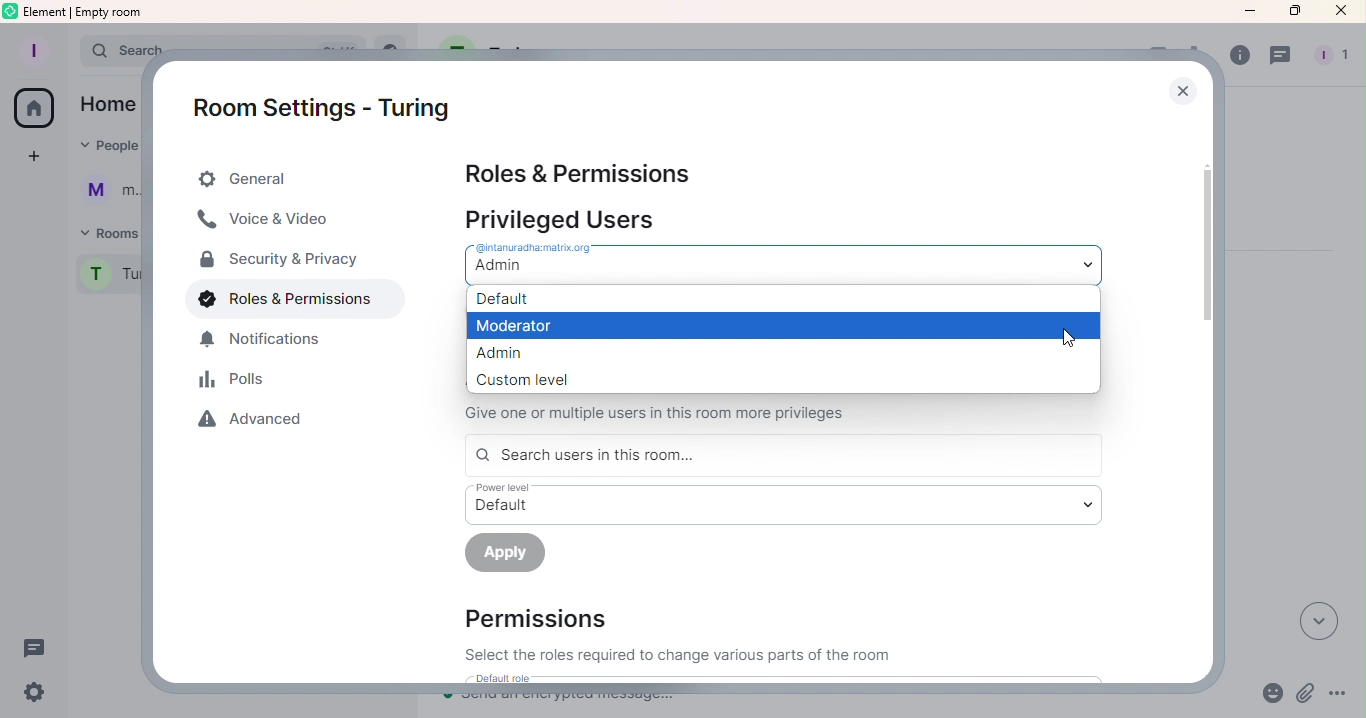 This screenshot has width=1366, height=718. I want to click on Default, so click(782, 299).